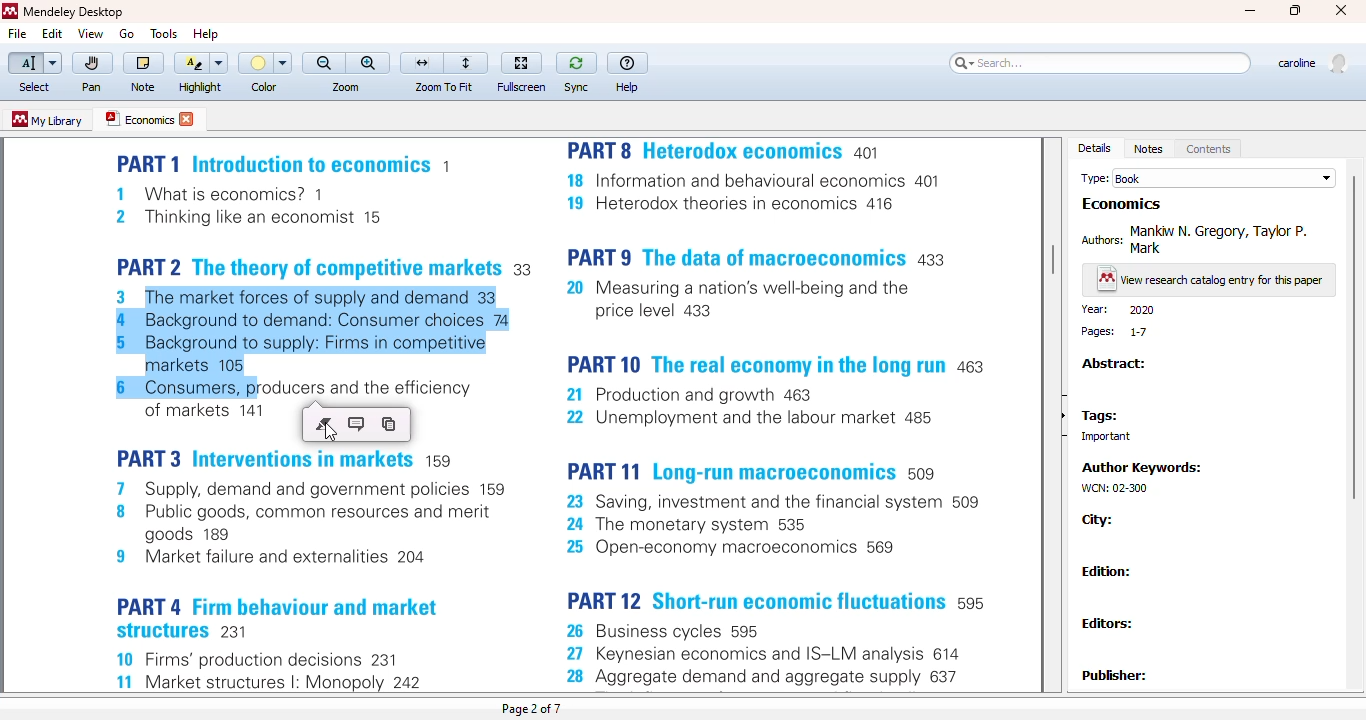  I want to click on zoom, so click(346, 87).